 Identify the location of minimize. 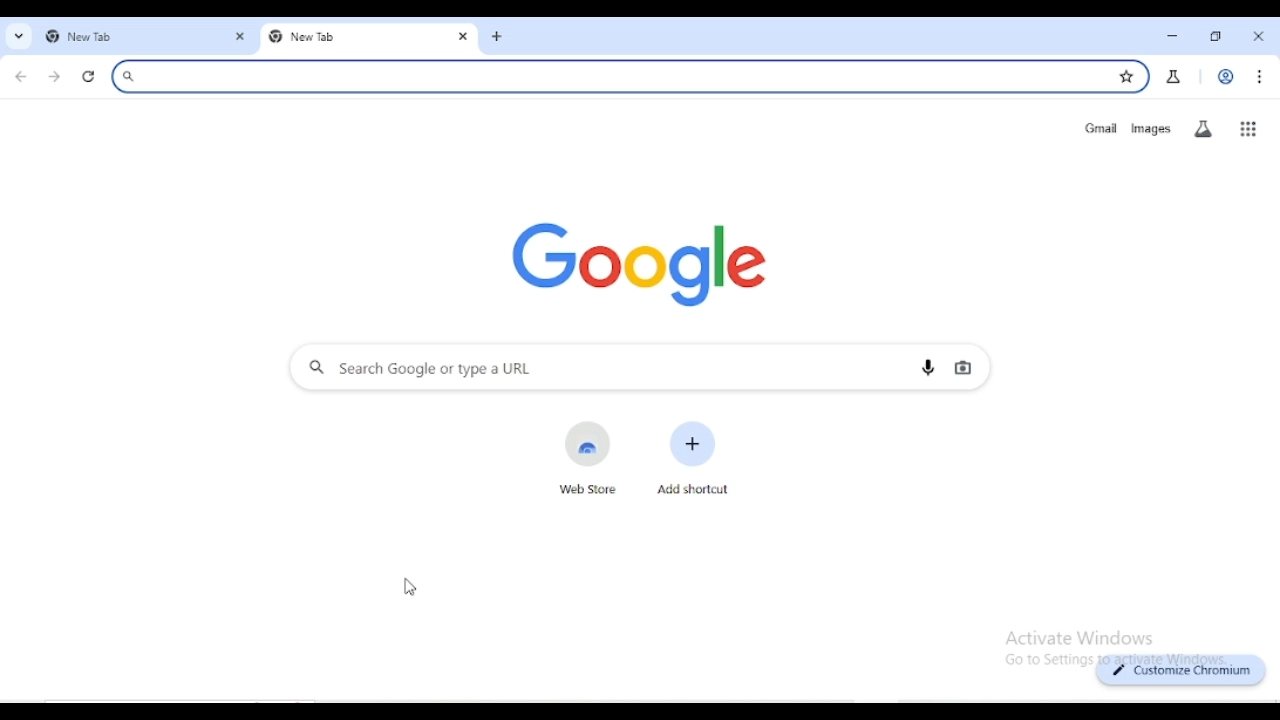
(1172, 35).